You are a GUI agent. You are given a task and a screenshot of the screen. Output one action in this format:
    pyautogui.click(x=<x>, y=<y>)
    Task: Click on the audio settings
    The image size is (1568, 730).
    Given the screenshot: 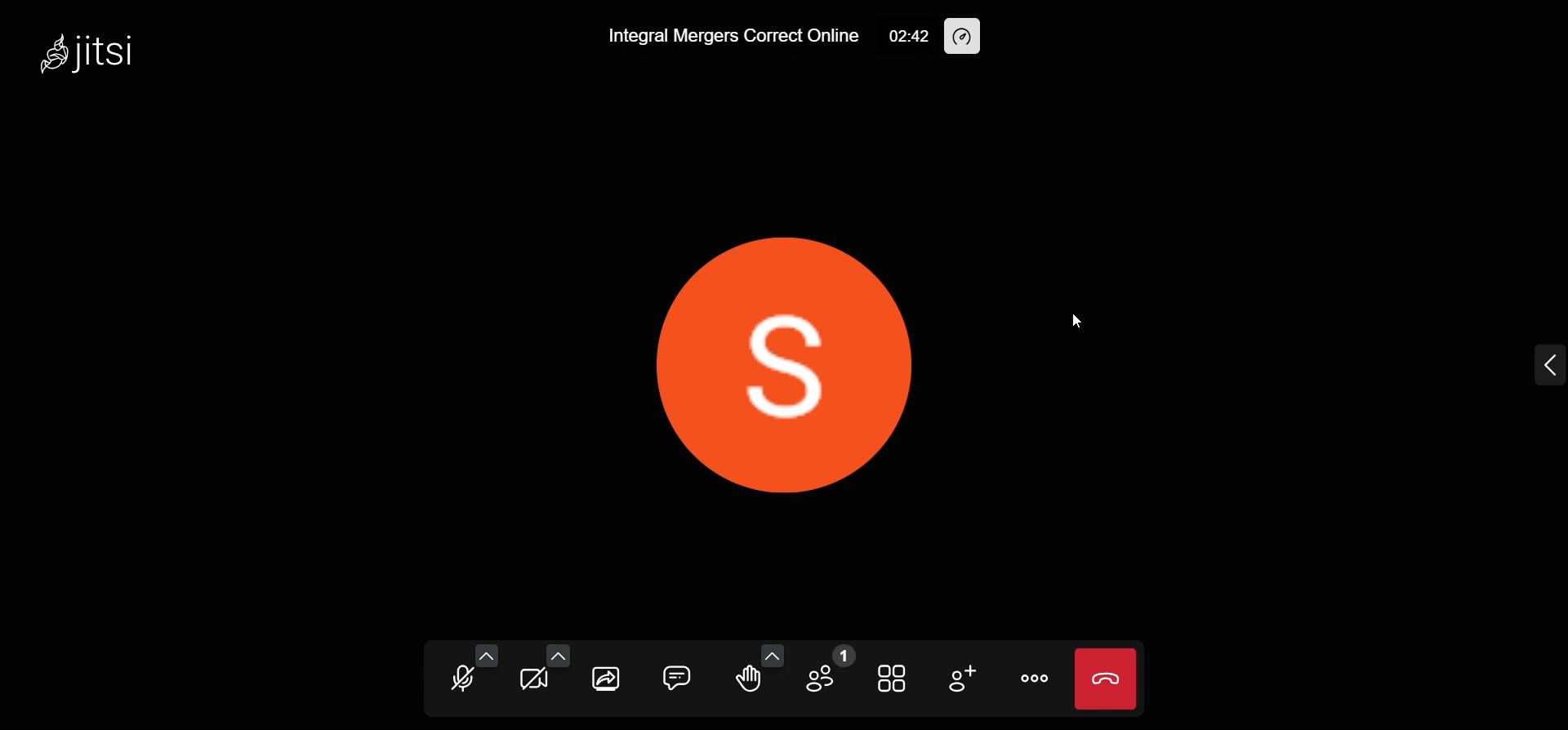 What is the action you would take?
    pyautogui.click(x=489, y=653)
    